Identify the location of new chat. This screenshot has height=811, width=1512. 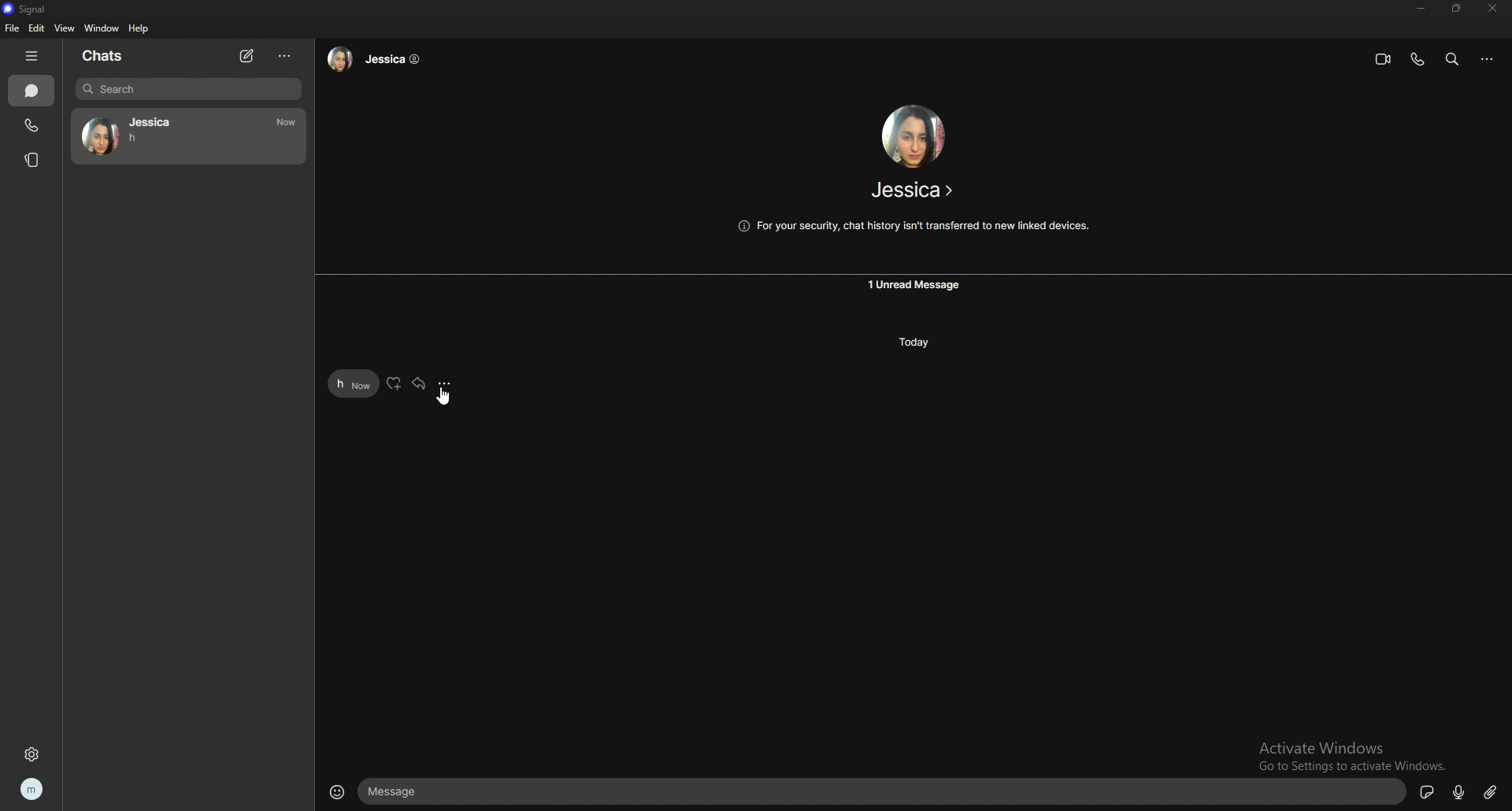
(247, 56).